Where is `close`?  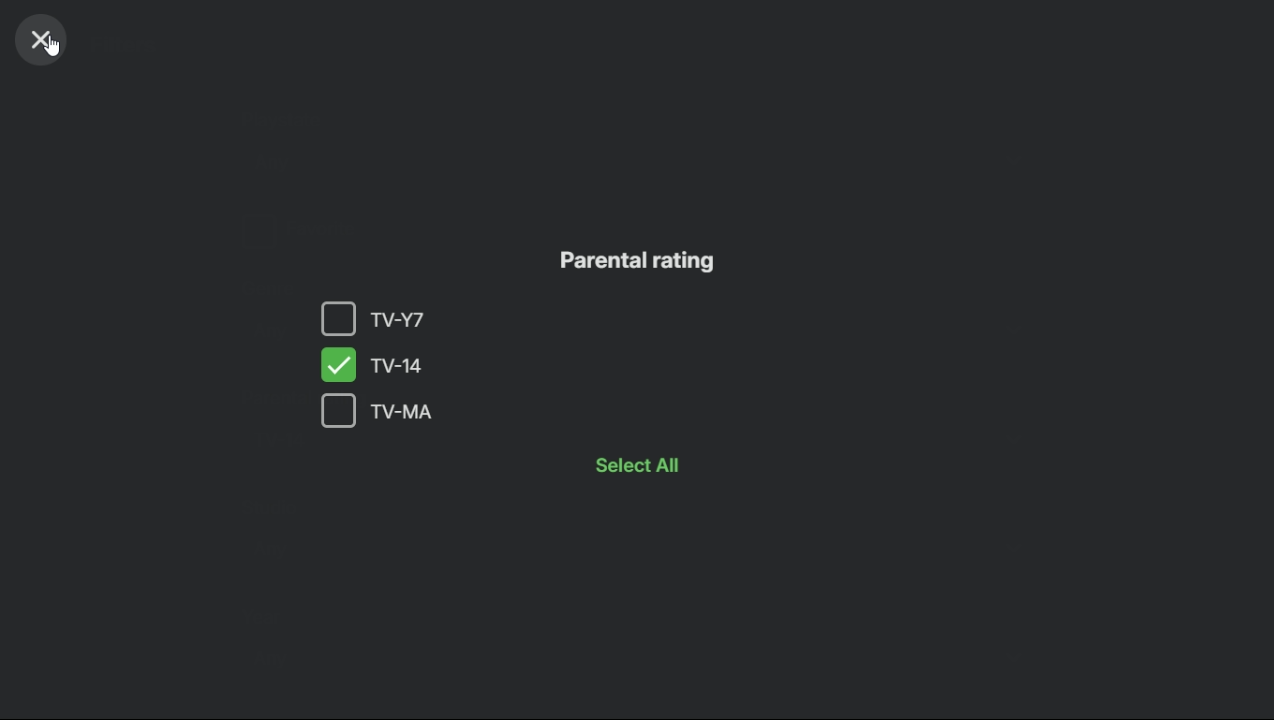
close is located at coordinates (42, 42).